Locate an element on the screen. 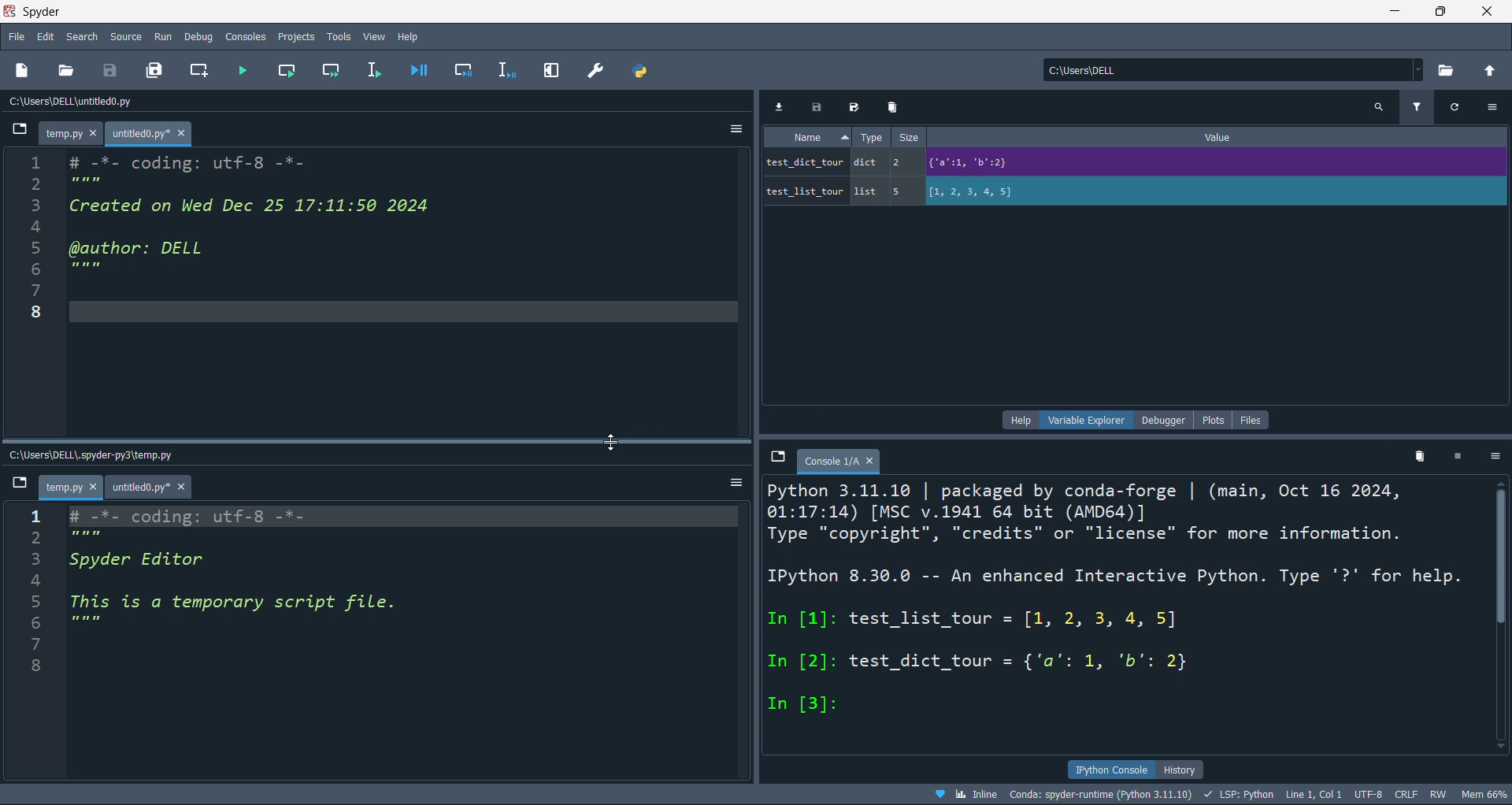 The image size is (1512, 805). expand pane is located at coordinates (552, 71).